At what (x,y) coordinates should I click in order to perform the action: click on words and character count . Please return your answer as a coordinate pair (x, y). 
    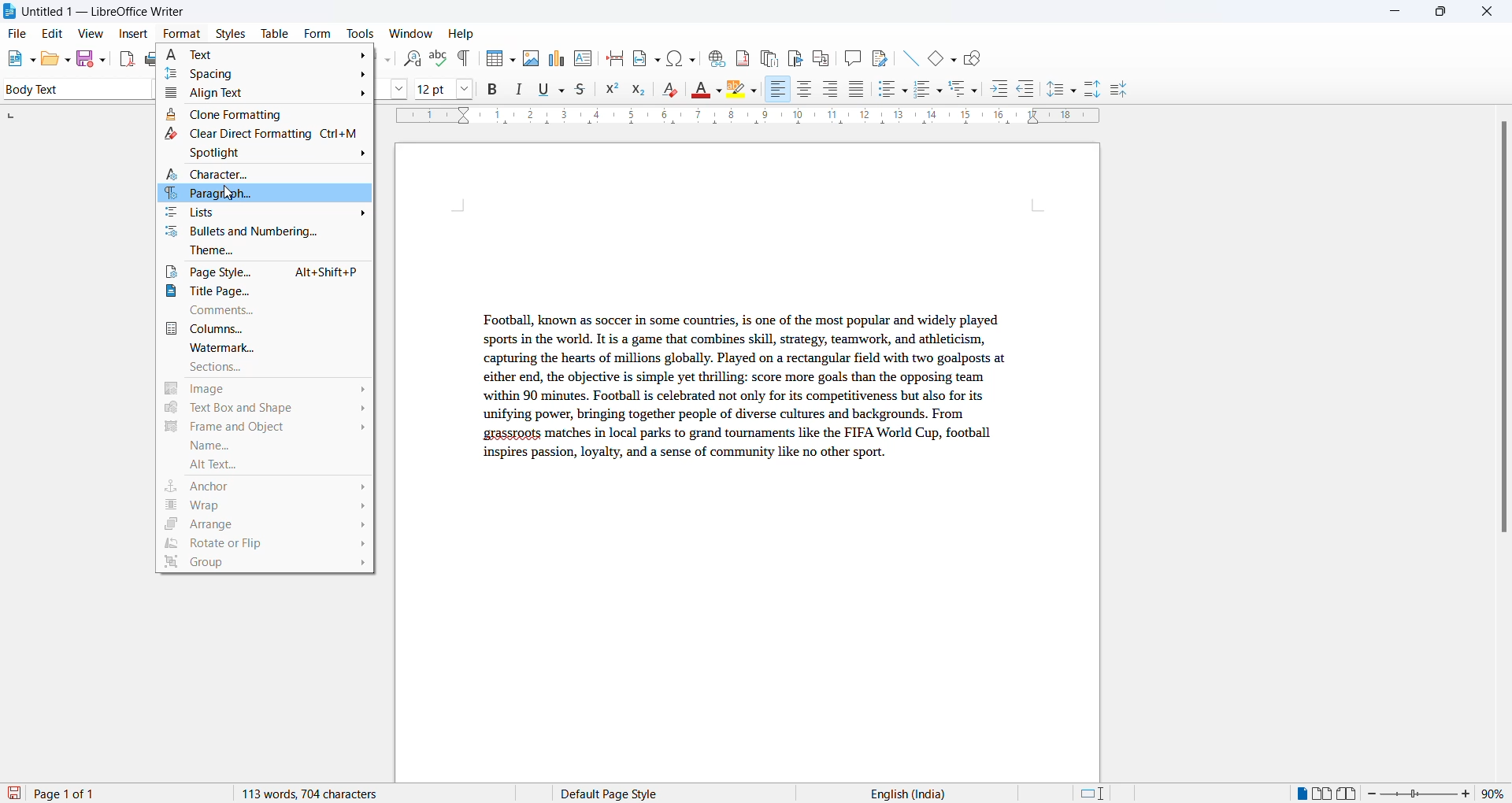
    Looking at the image, I should click on (325, 794).